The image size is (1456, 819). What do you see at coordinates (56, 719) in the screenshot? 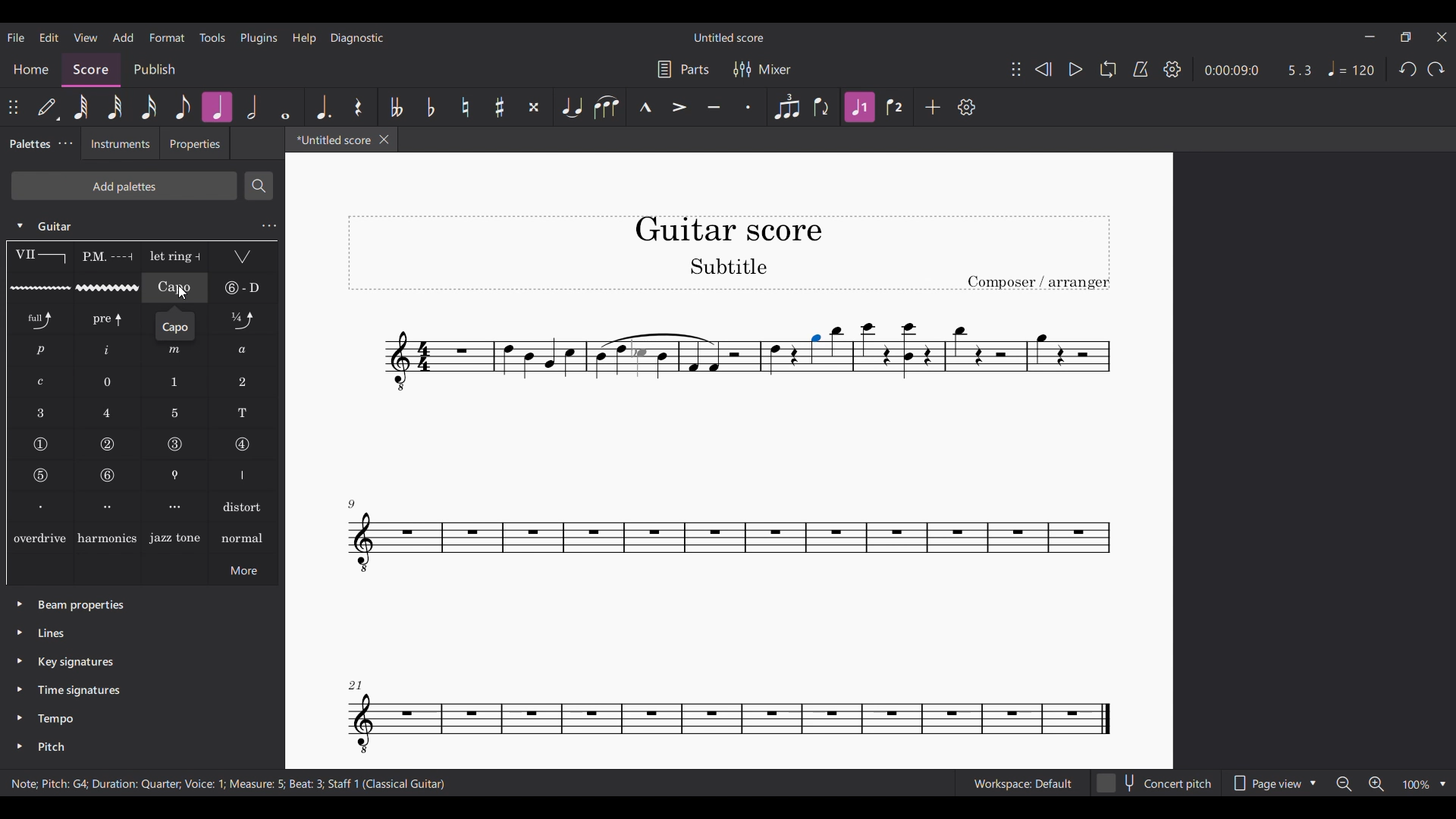
I see `Tempo` at bounding box center [56, 719].